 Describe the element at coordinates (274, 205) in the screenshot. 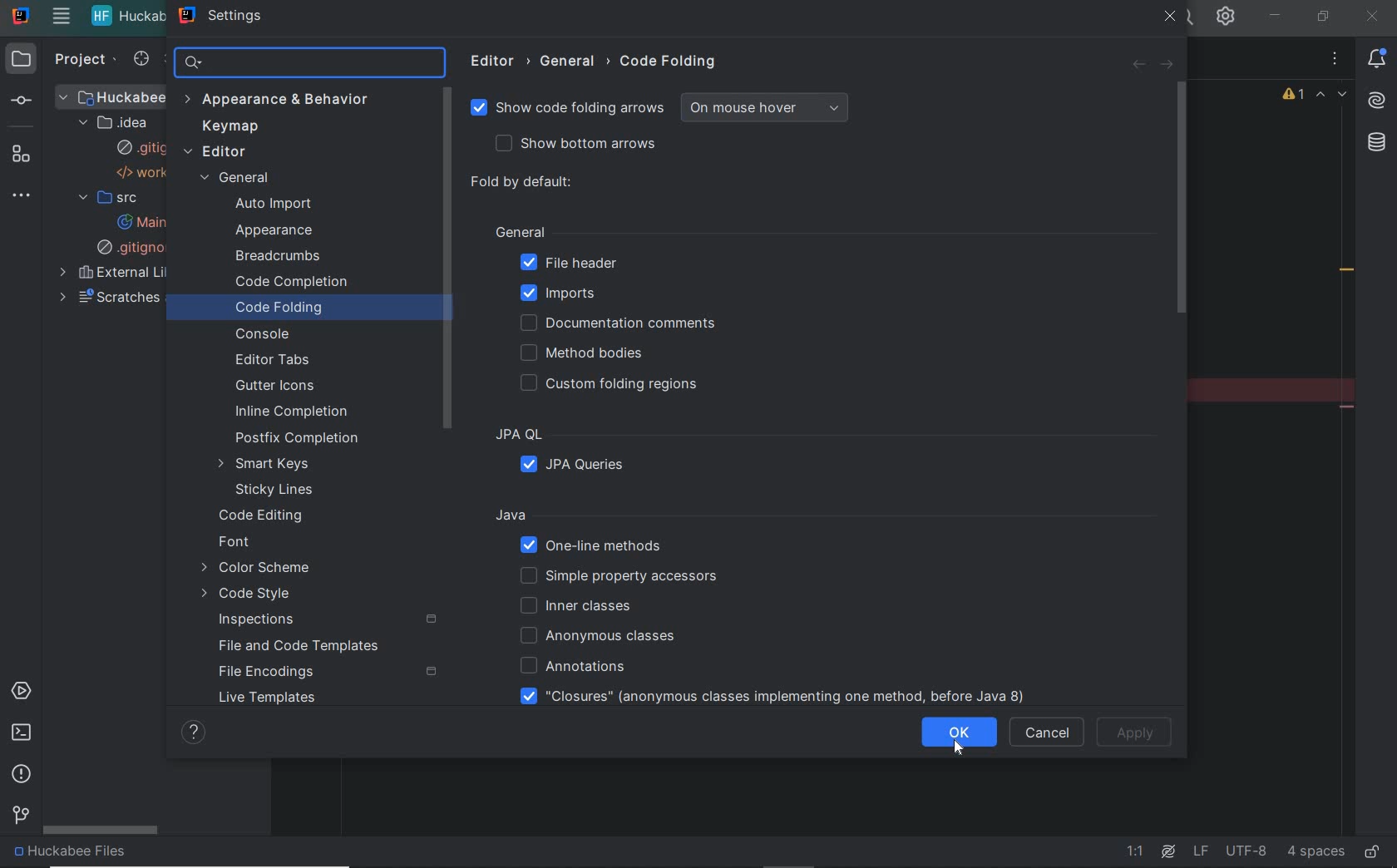

I see `auto import` at that location.